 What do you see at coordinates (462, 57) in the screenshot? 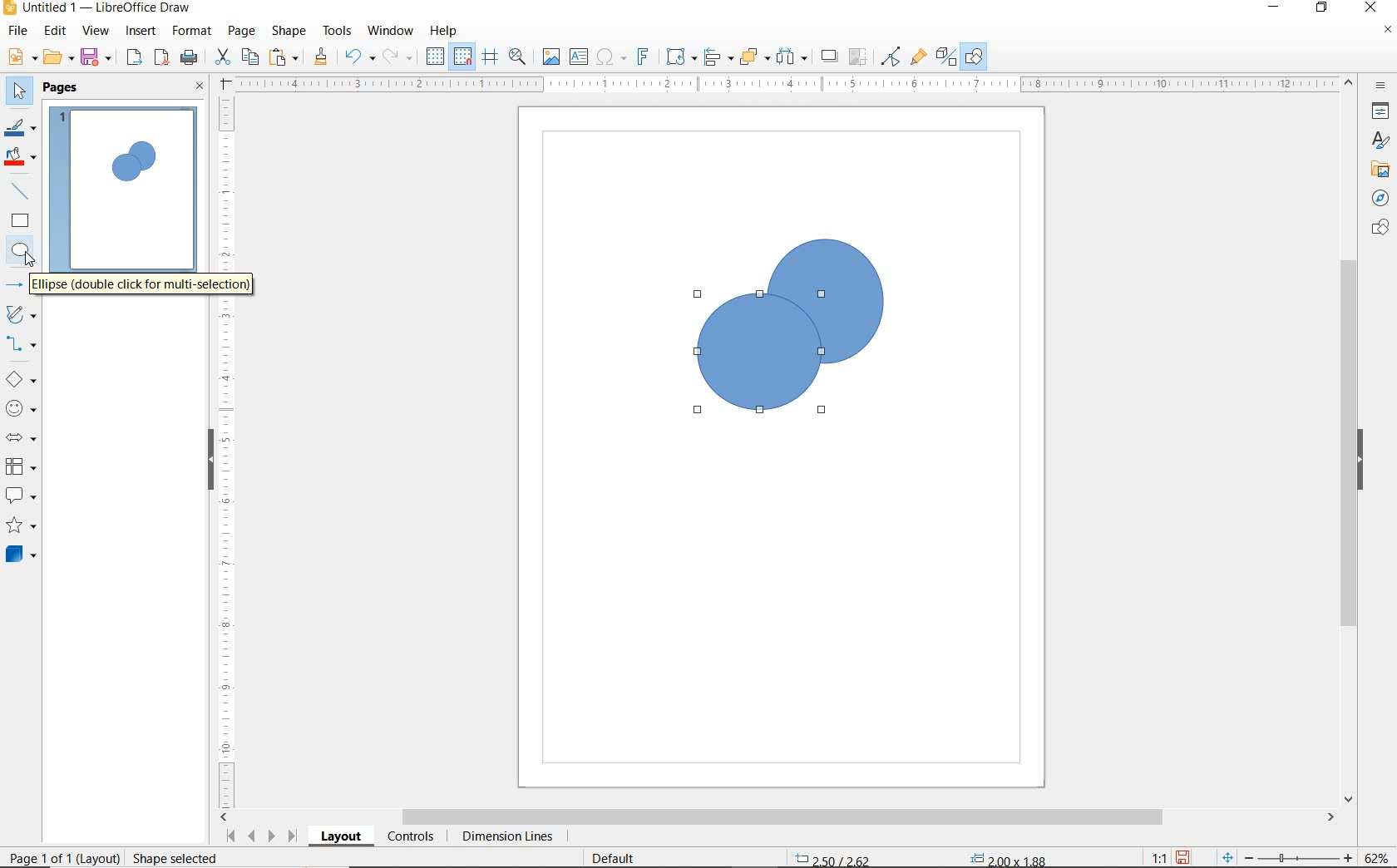
I see `SNAP TO GRID` at bounding box center [462, 57].